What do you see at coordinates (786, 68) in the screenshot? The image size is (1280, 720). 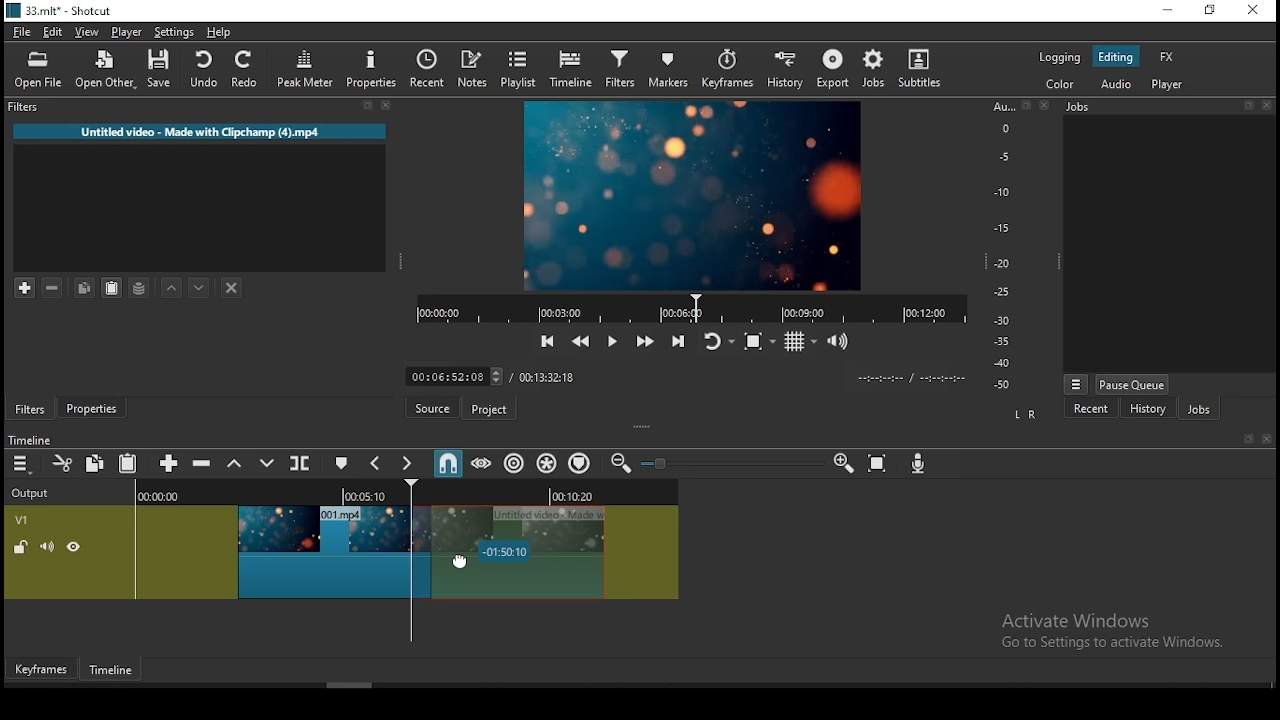 I see `history` at bounding box center [786, 68].